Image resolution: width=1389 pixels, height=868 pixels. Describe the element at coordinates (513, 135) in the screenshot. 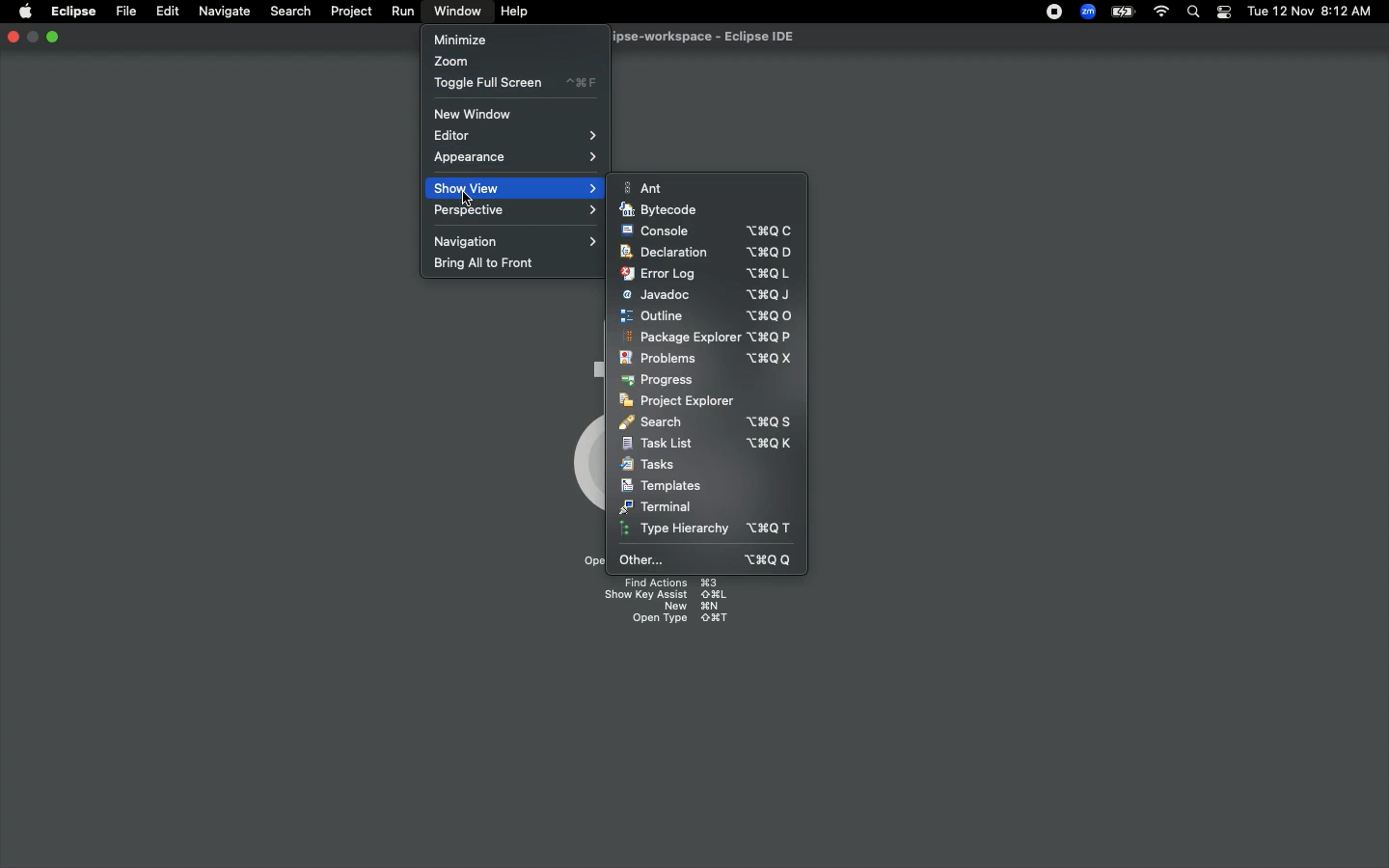

I see `Editor` at that location.